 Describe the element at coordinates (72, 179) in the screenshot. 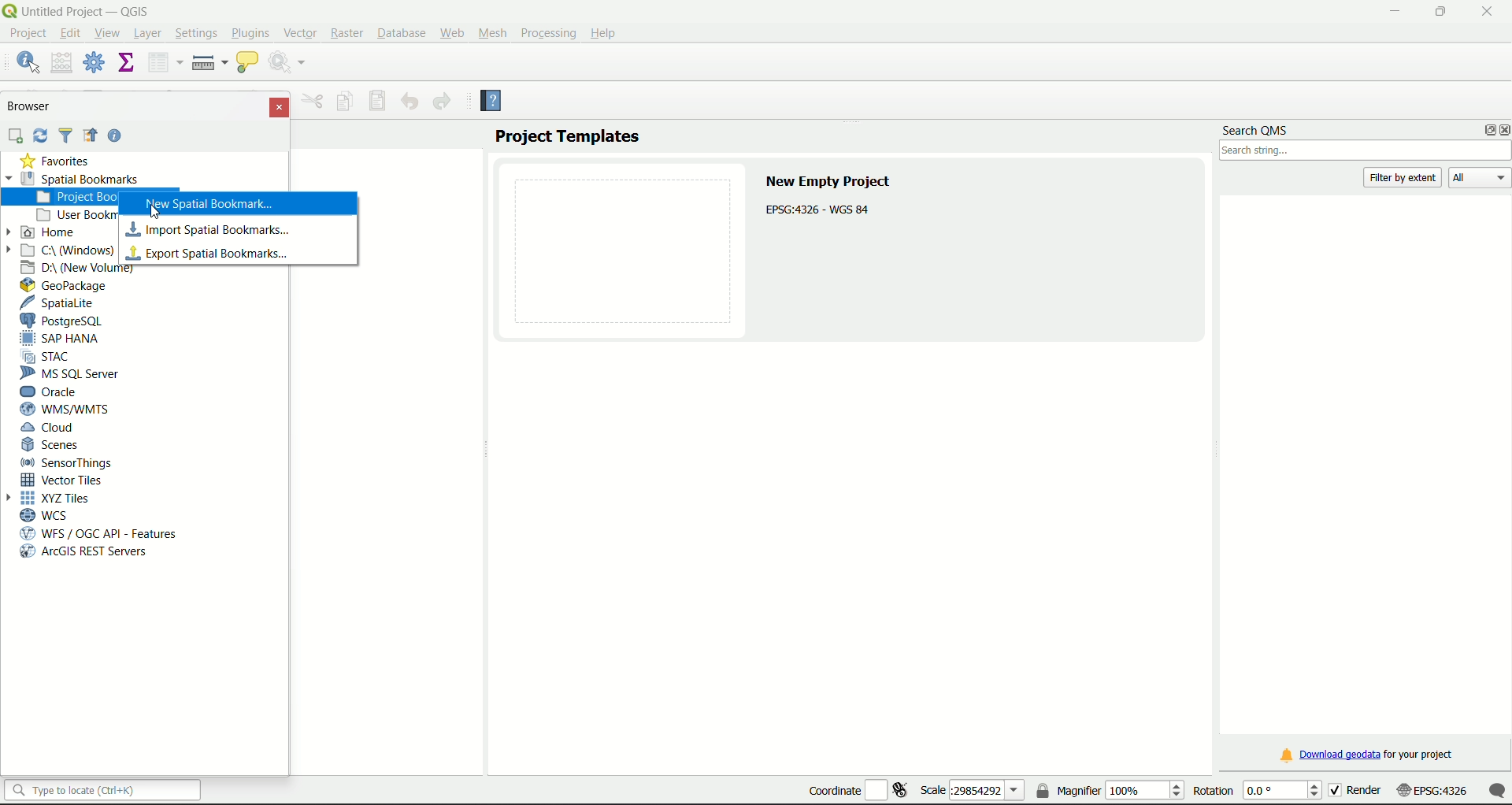

I see `Spatial Bookmarks` at that location.